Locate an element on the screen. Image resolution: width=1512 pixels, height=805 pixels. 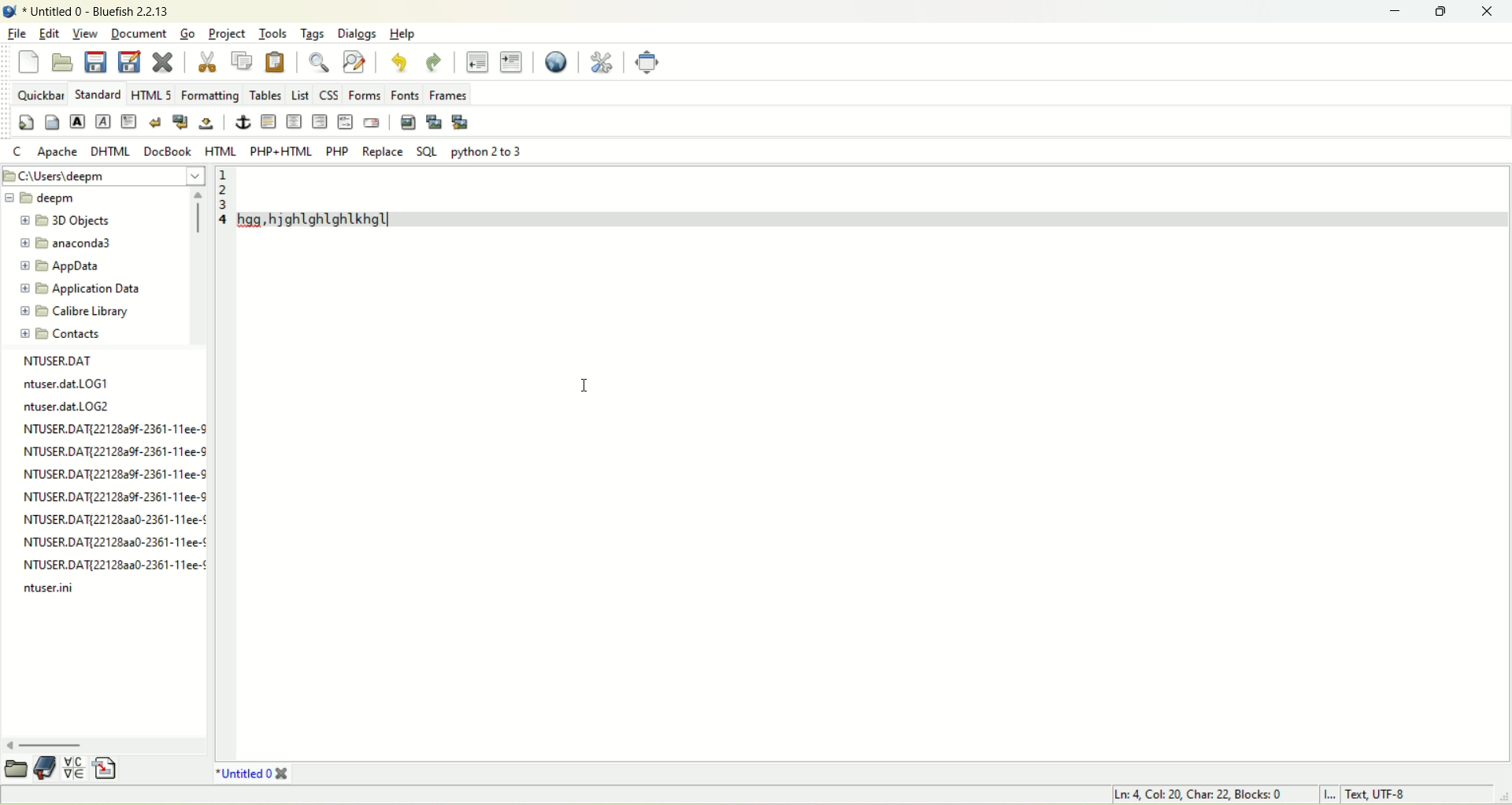
unindent is located at coordinates (477, 61).